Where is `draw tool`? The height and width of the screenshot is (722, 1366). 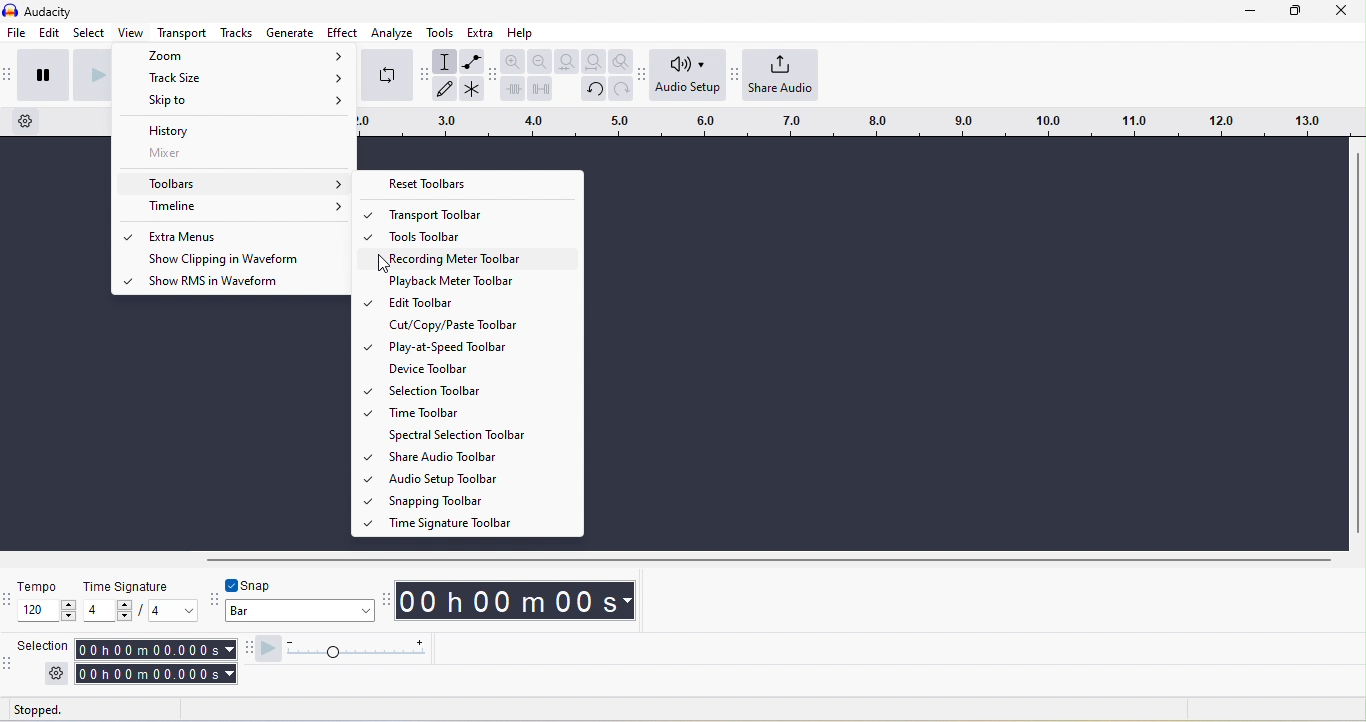 draw tool is located at coordinates (444, 88).